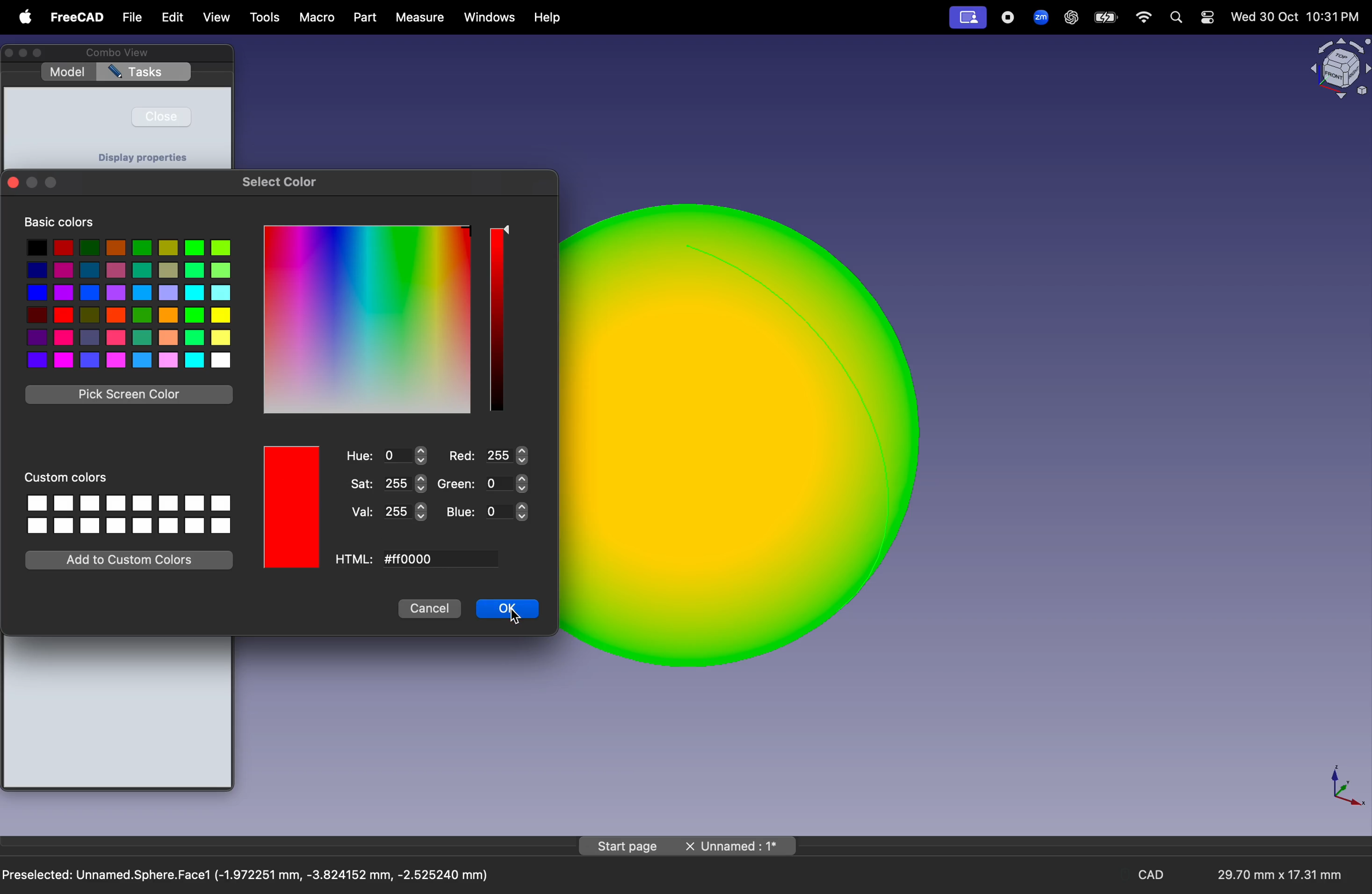 Image resolution: width=1372 pixels, height=894 pixels. Describe the element at coordinates (1155, 875) in the screenshot. I see `cad` at that location.